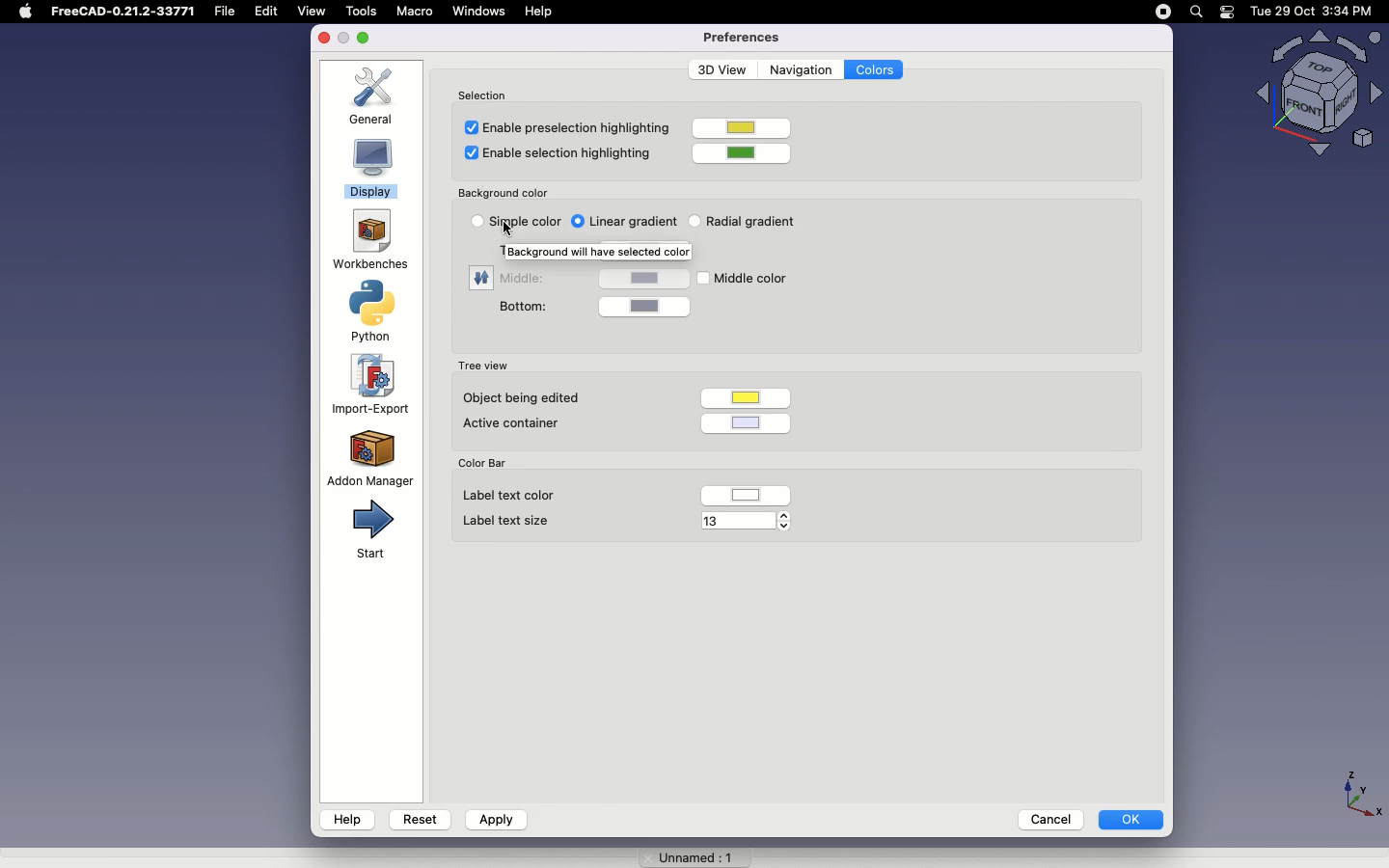 The height and width of the screenshot is (868, 1389). Describe the element at coordinates (421, 817) in the screenshot. I see `Reset` at that location.